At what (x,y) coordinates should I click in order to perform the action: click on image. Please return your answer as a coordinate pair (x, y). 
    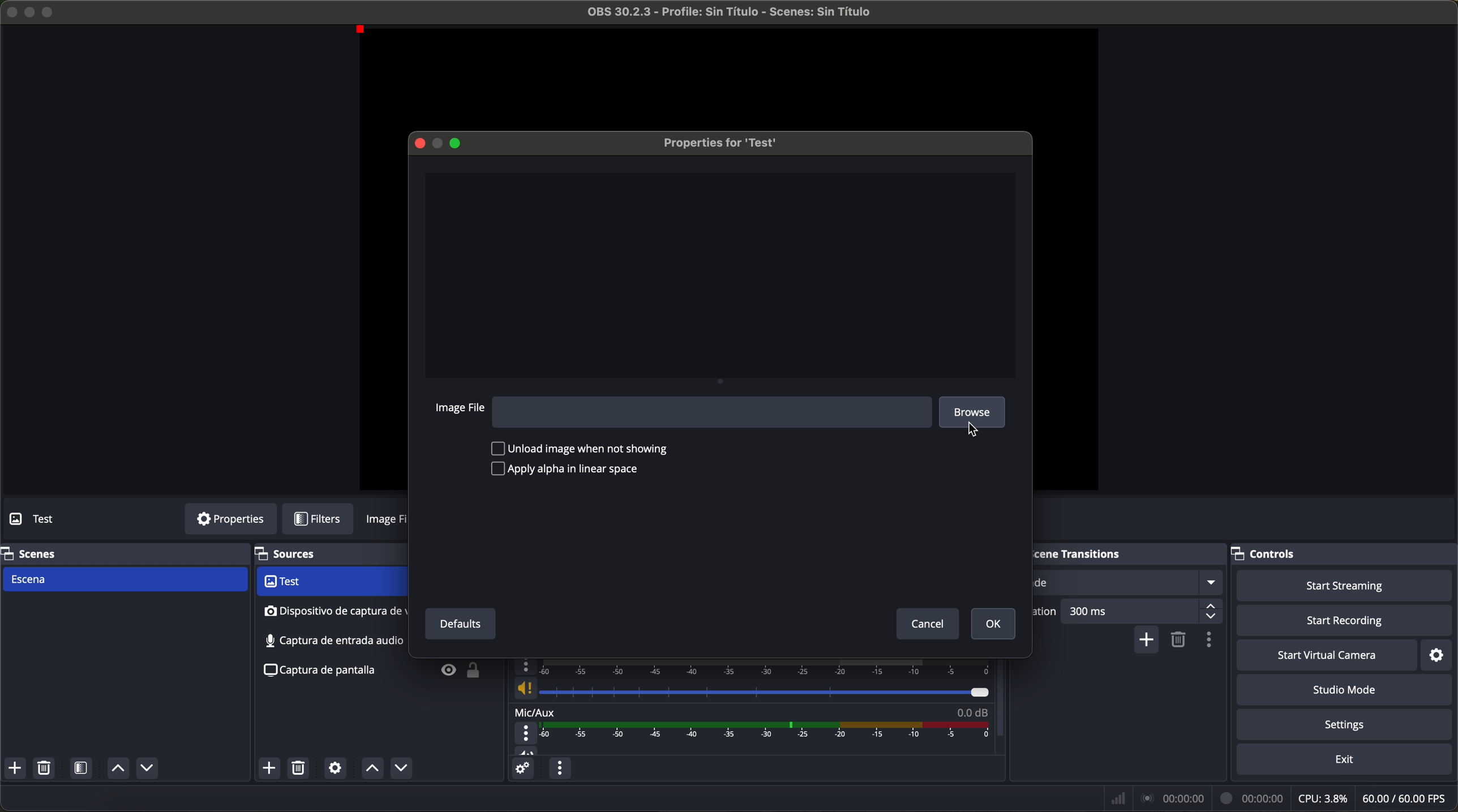
    Looking at the image, I should click on (388, 522).